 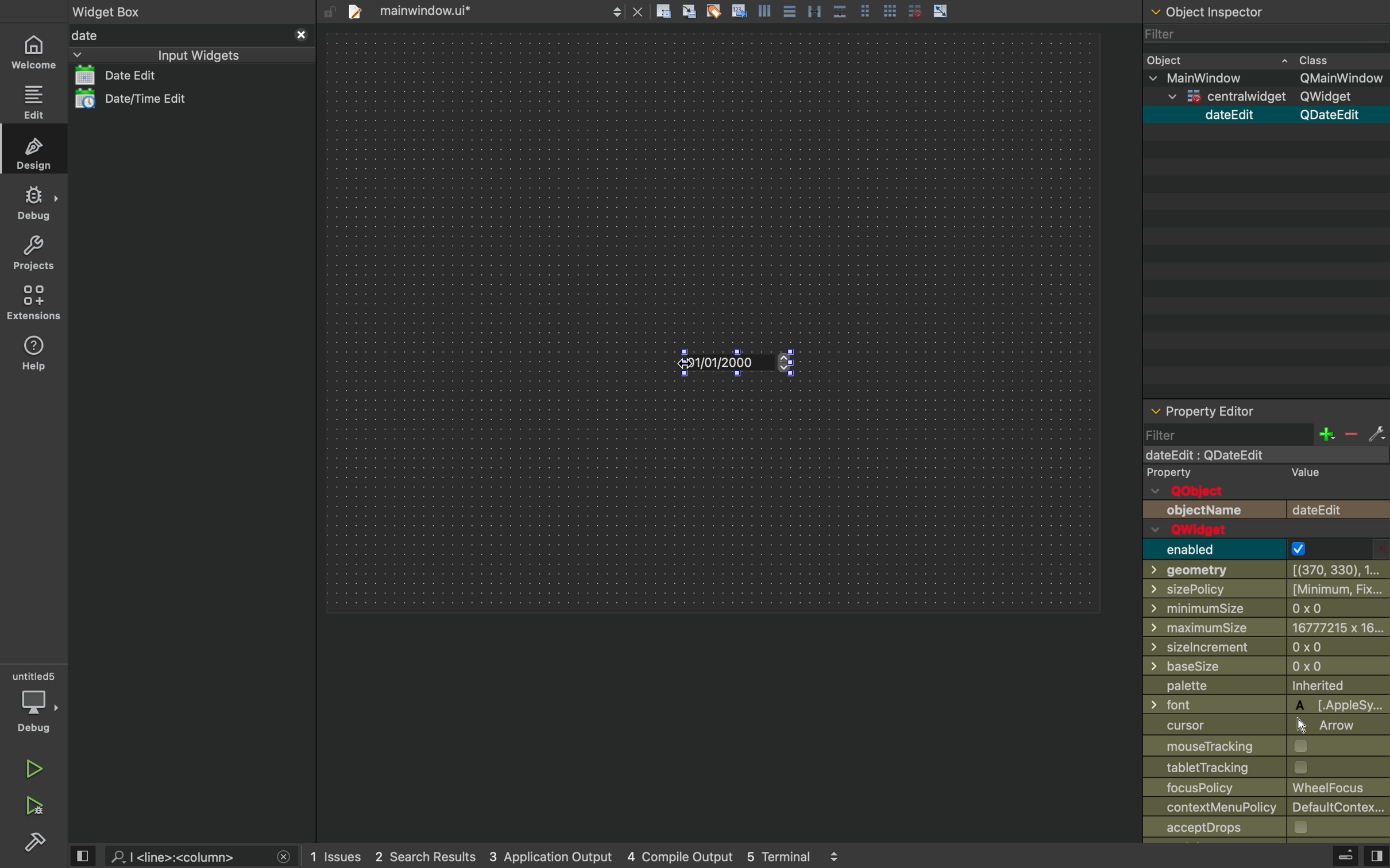 What do you see at coordinates (683, 370) in the screenshot?
I see `cursor` at bounding box center [683, 370].